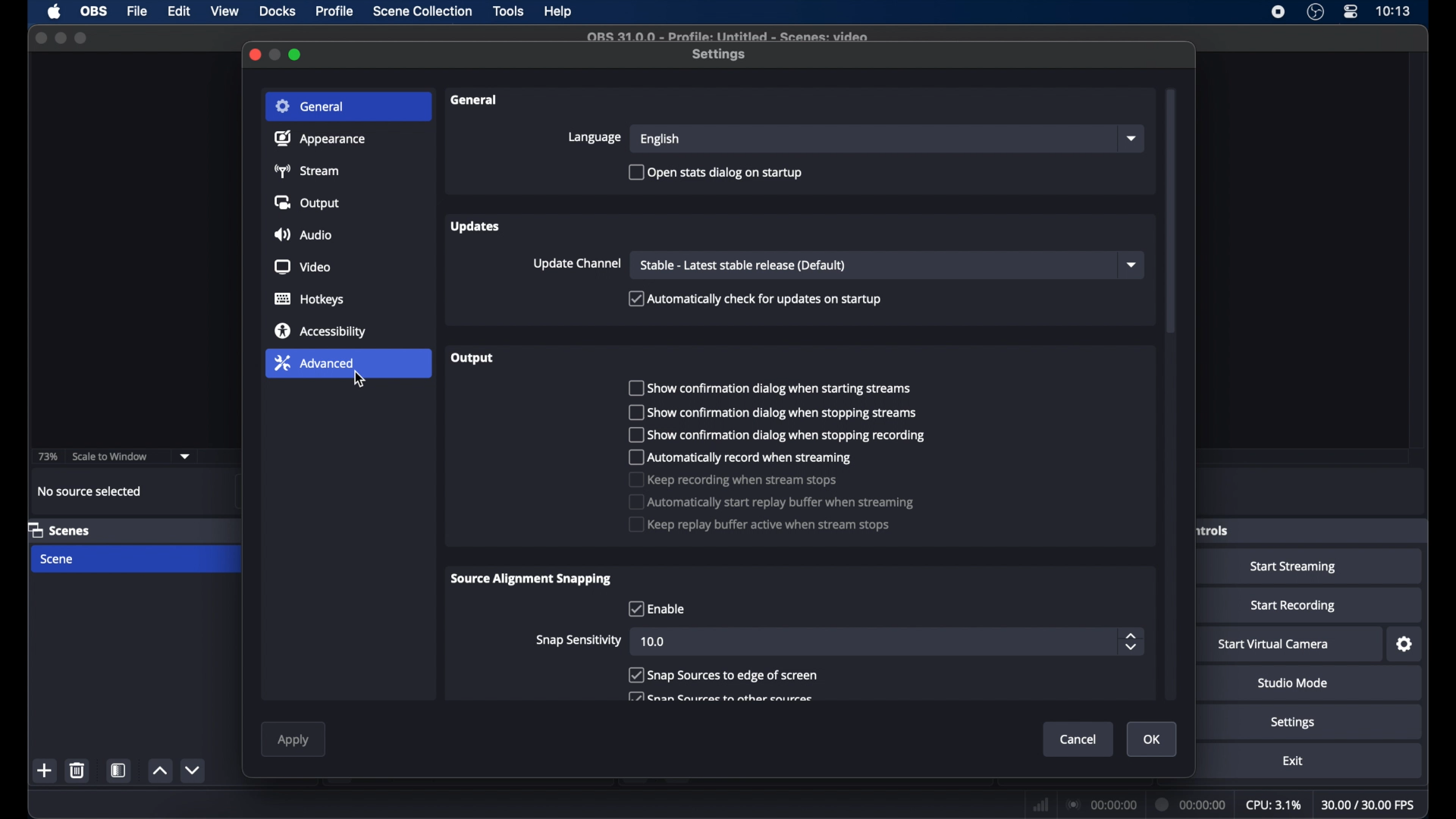  I want to click on Automatically check for updates on startup, so click(755, 300).